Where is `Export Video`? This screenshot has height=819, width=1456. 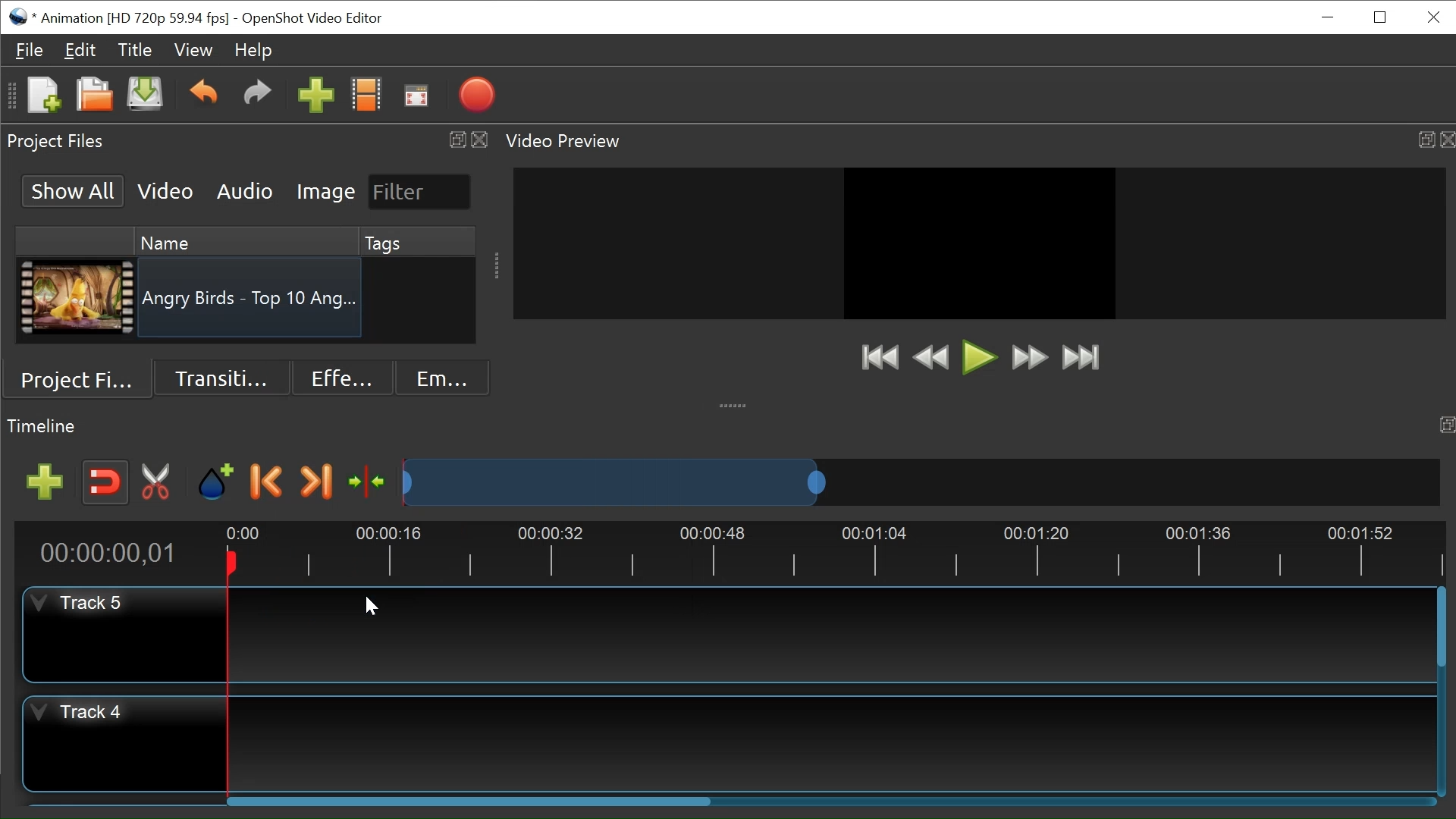
Export Video is located at coordinates (477, 94).